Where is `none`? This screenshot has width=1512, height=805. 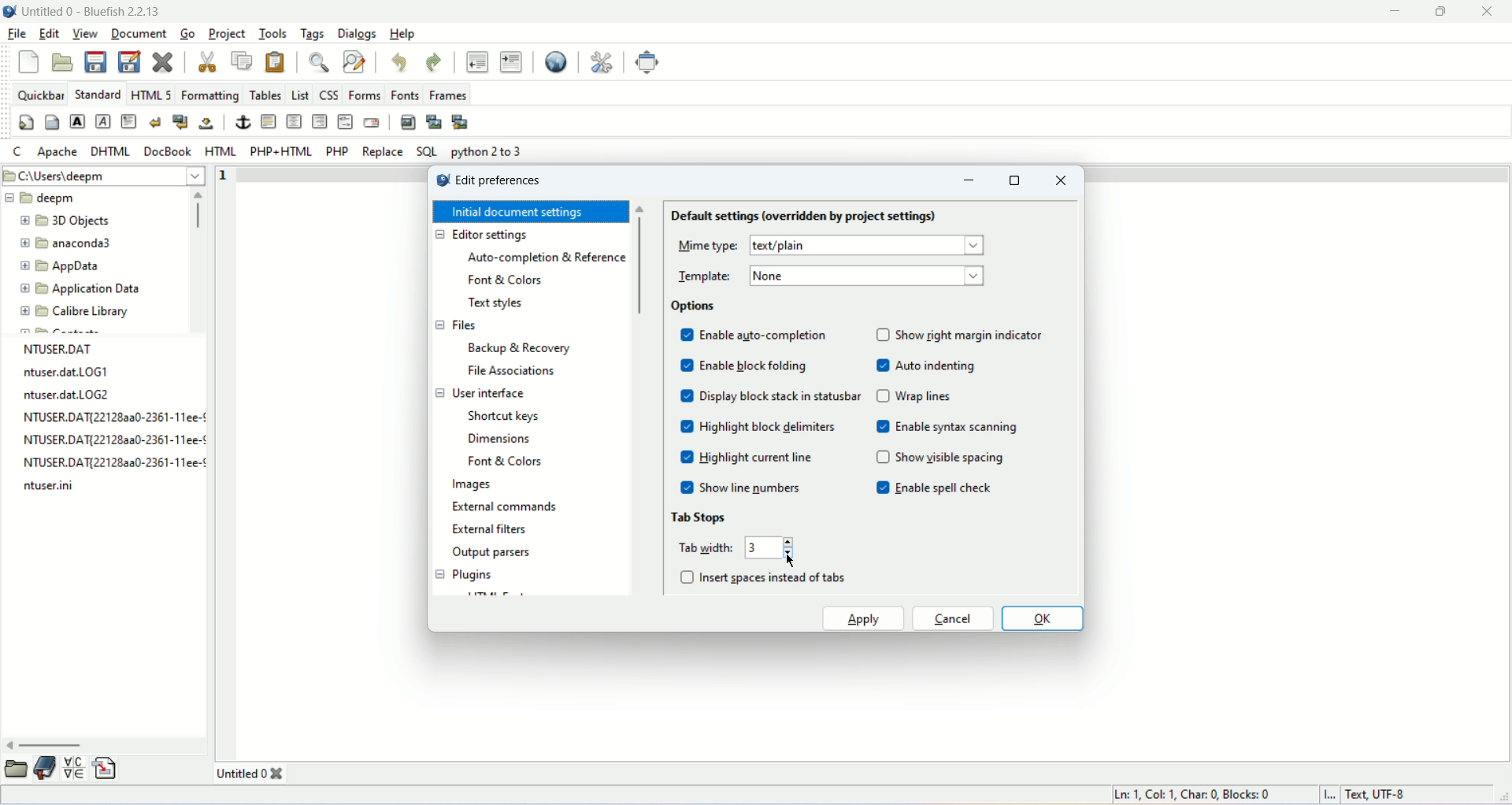
none is located at coordinates (774, 276).